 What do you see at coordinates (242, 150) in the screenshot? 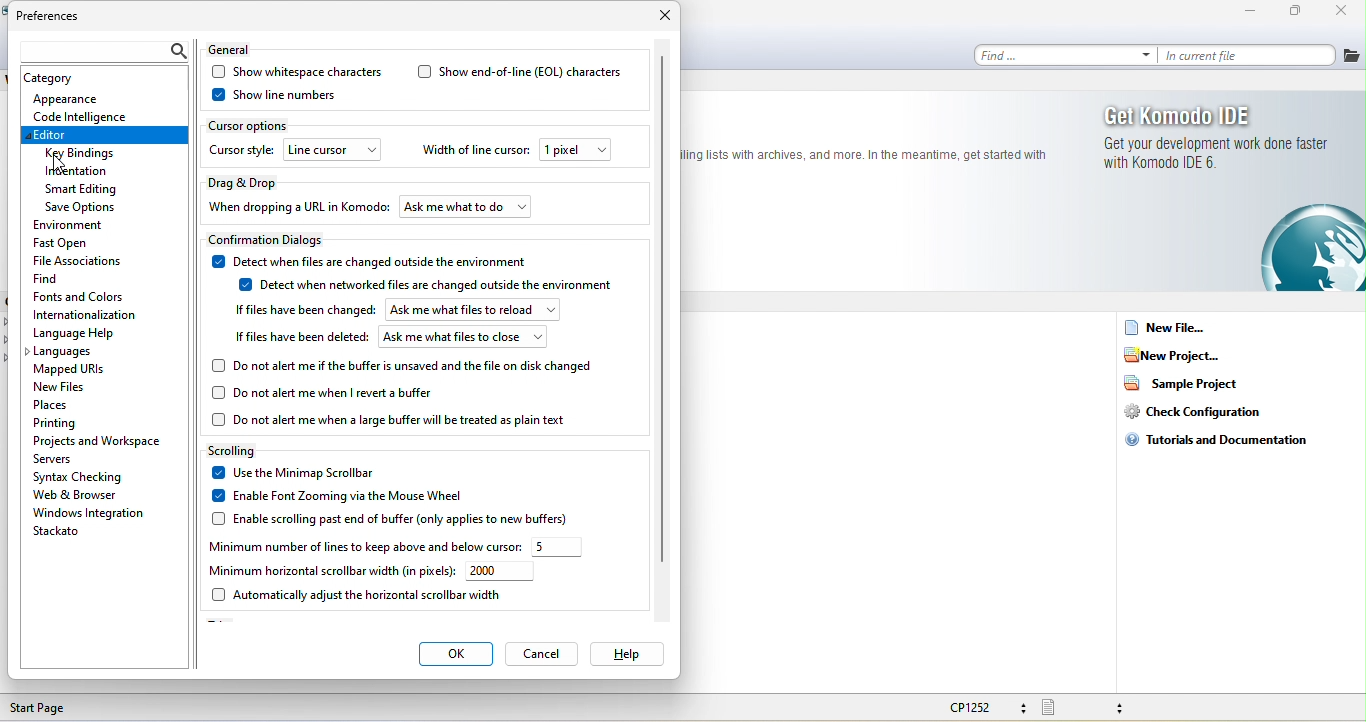
I see `cursor style` at bounding box center [242, 150].